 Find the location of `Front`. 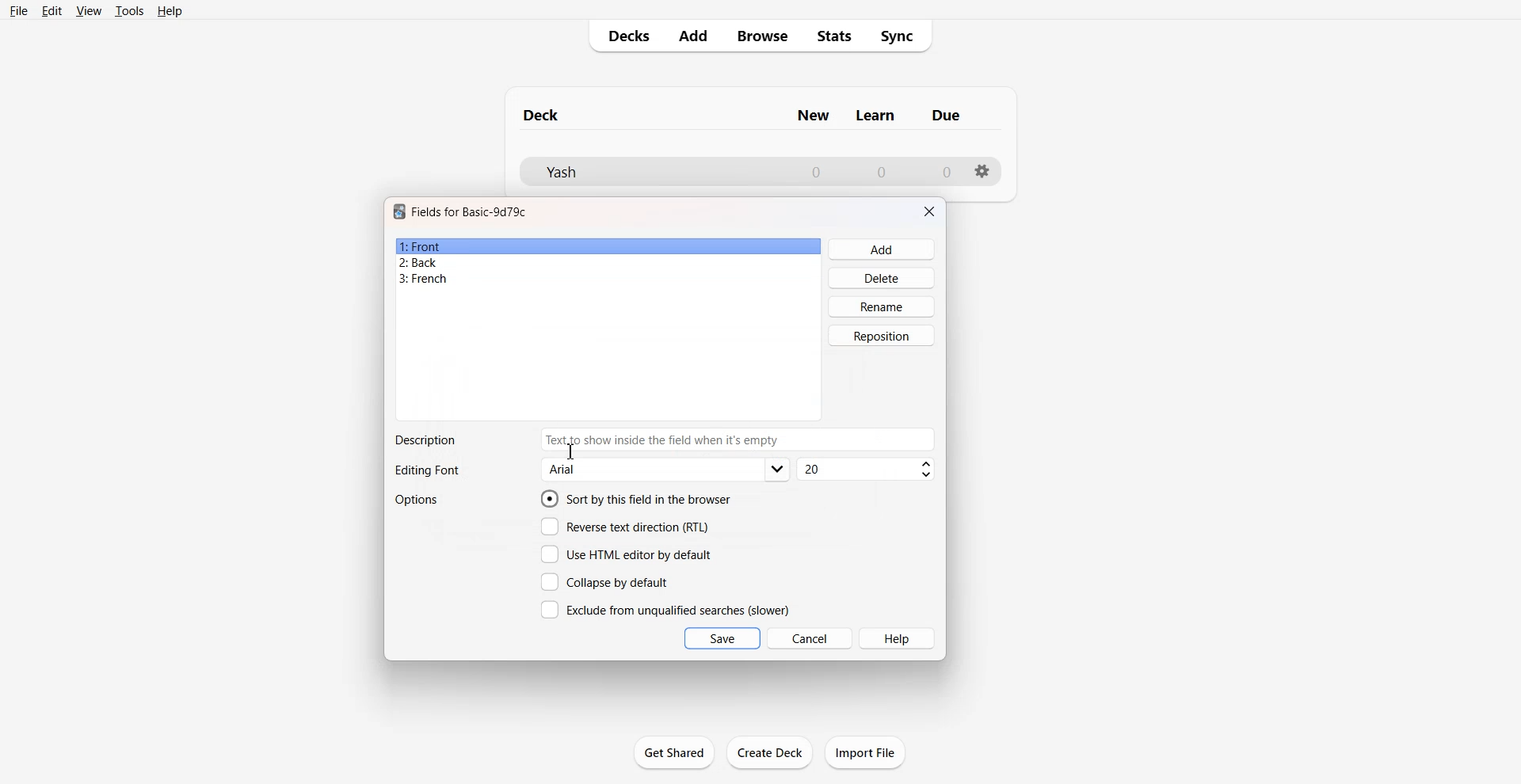

Front is located at coordinates (608, 246).